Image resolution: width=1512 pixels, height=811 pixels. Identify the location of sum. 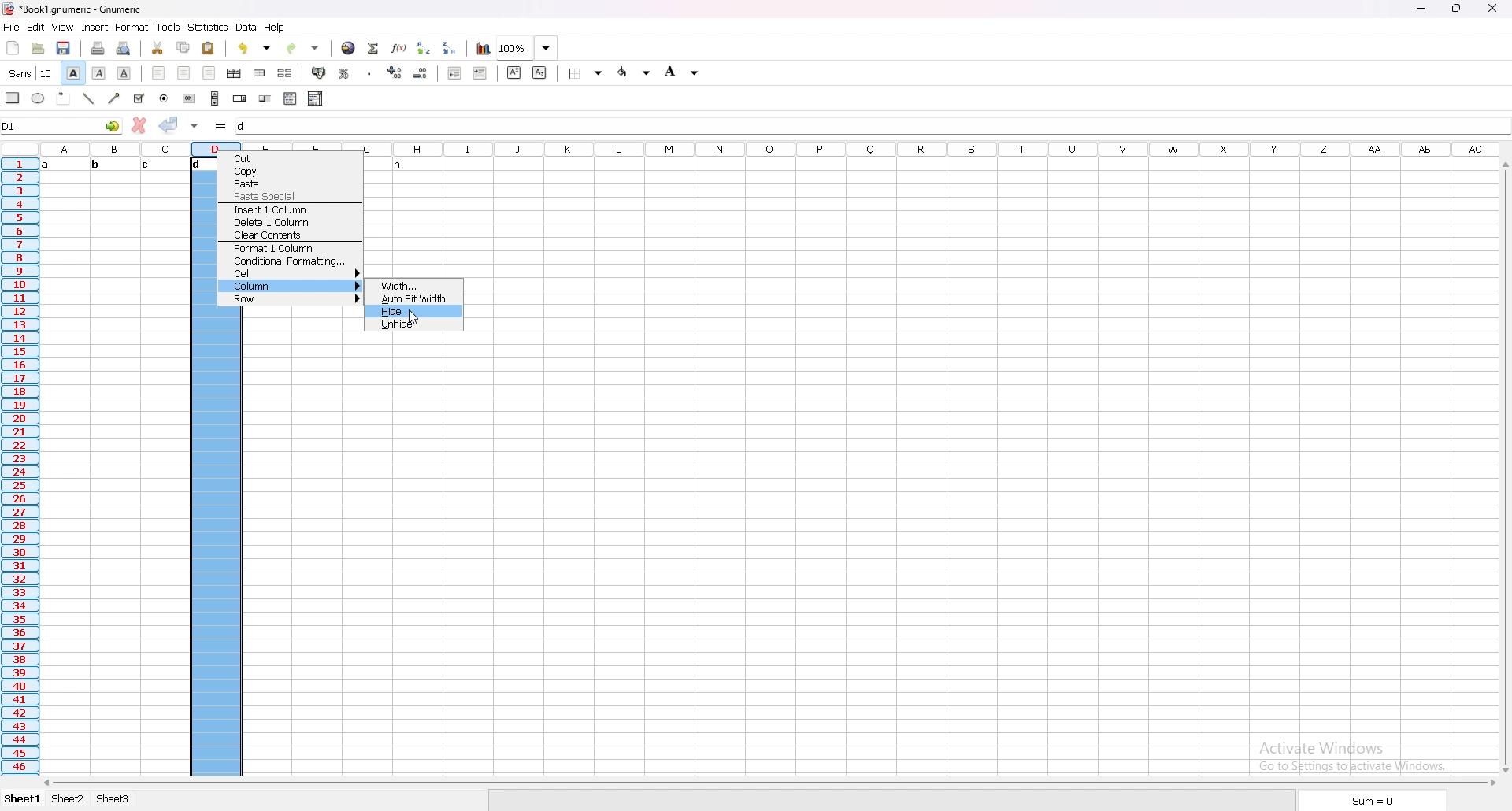
(1375, 798).